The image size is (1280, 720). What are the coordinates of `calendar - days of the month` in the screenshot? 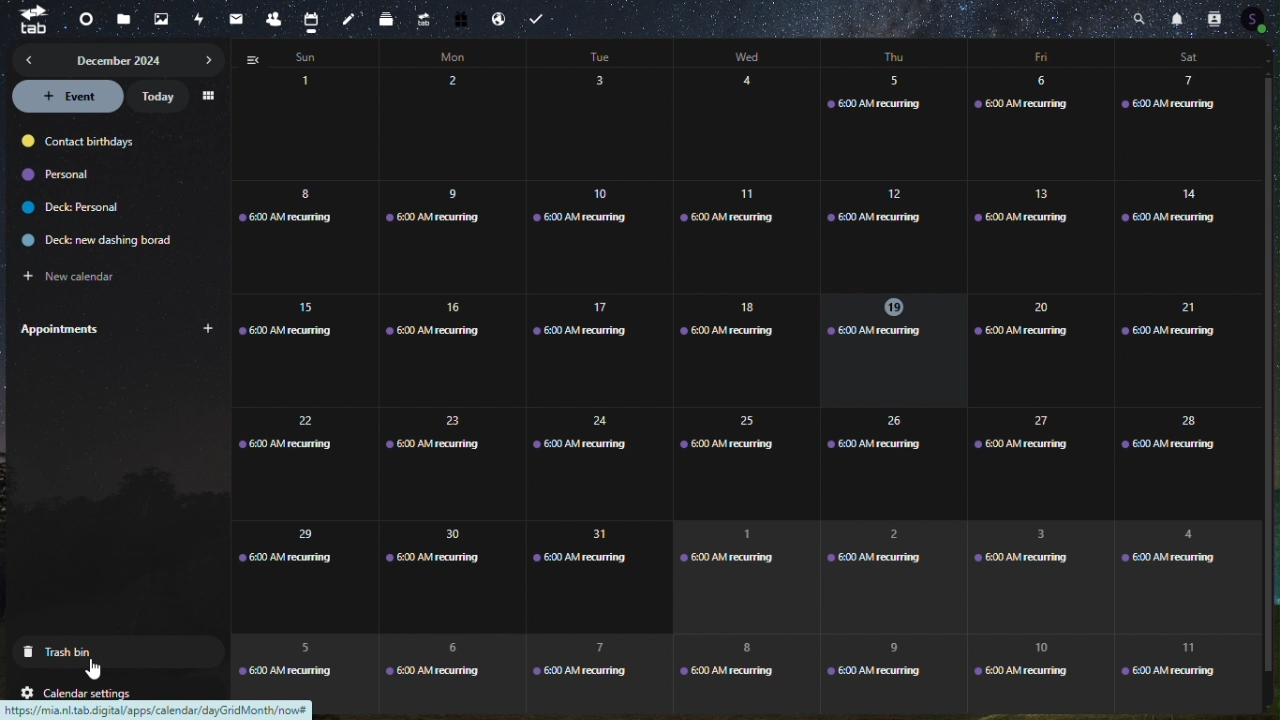 It's located at (302, 120).